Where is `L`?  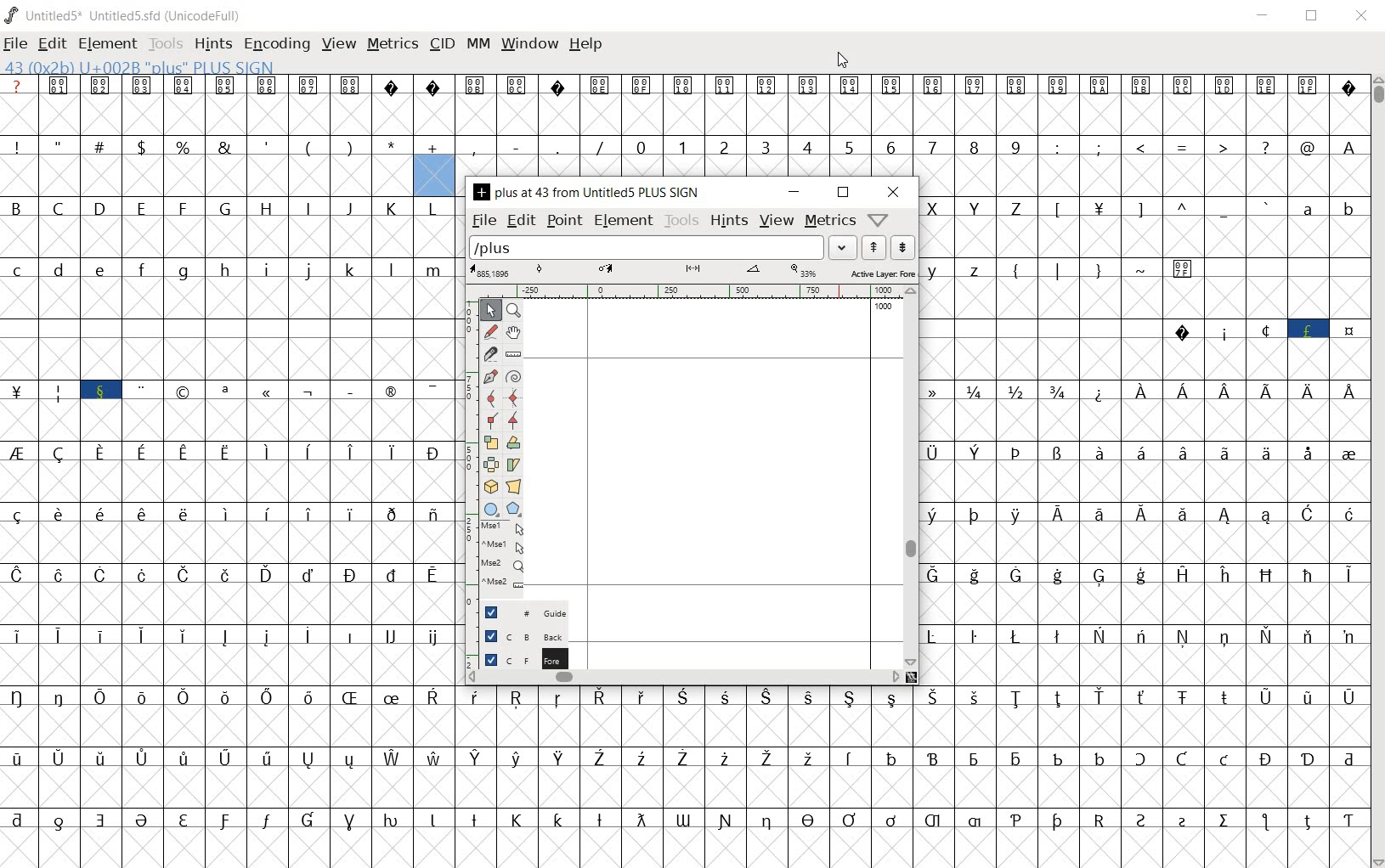 L is located at coordinates (1061, 227).